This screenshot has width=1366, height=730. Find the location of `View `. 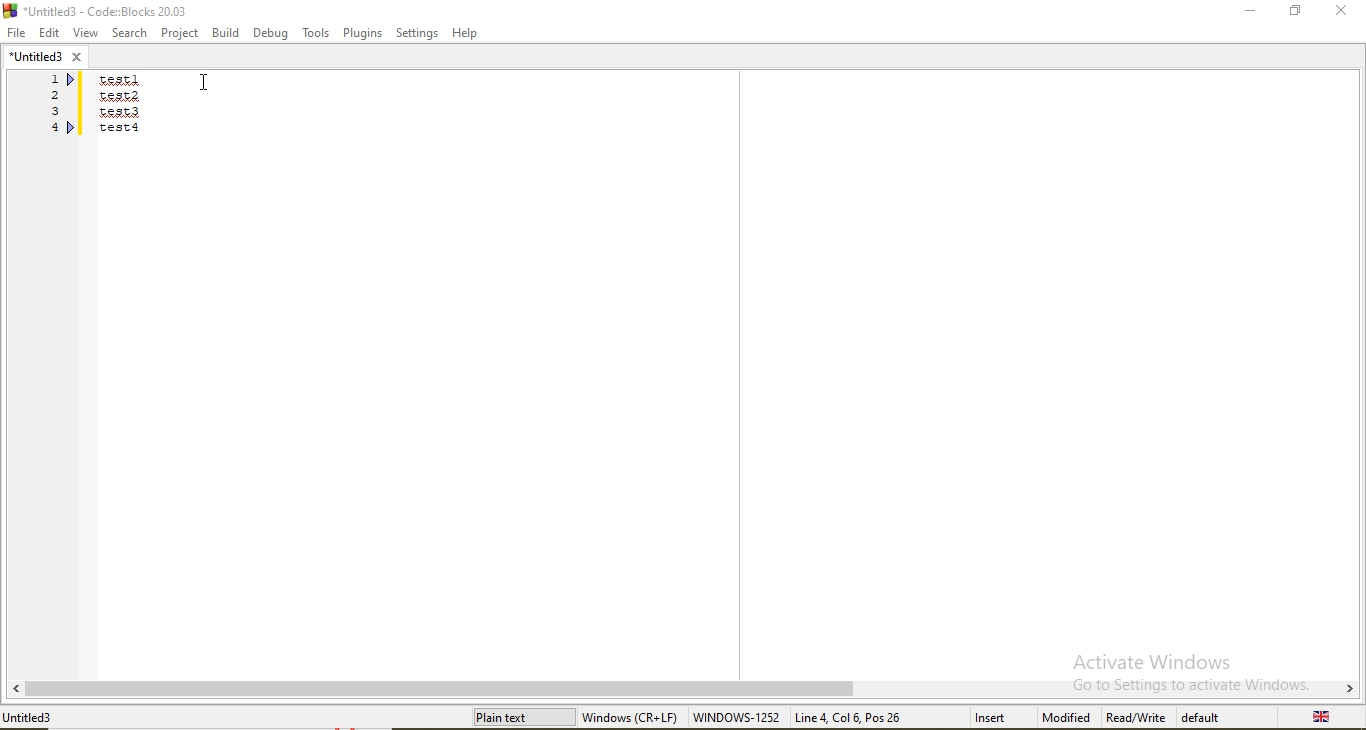

View  is located at coordinates (83, 32).